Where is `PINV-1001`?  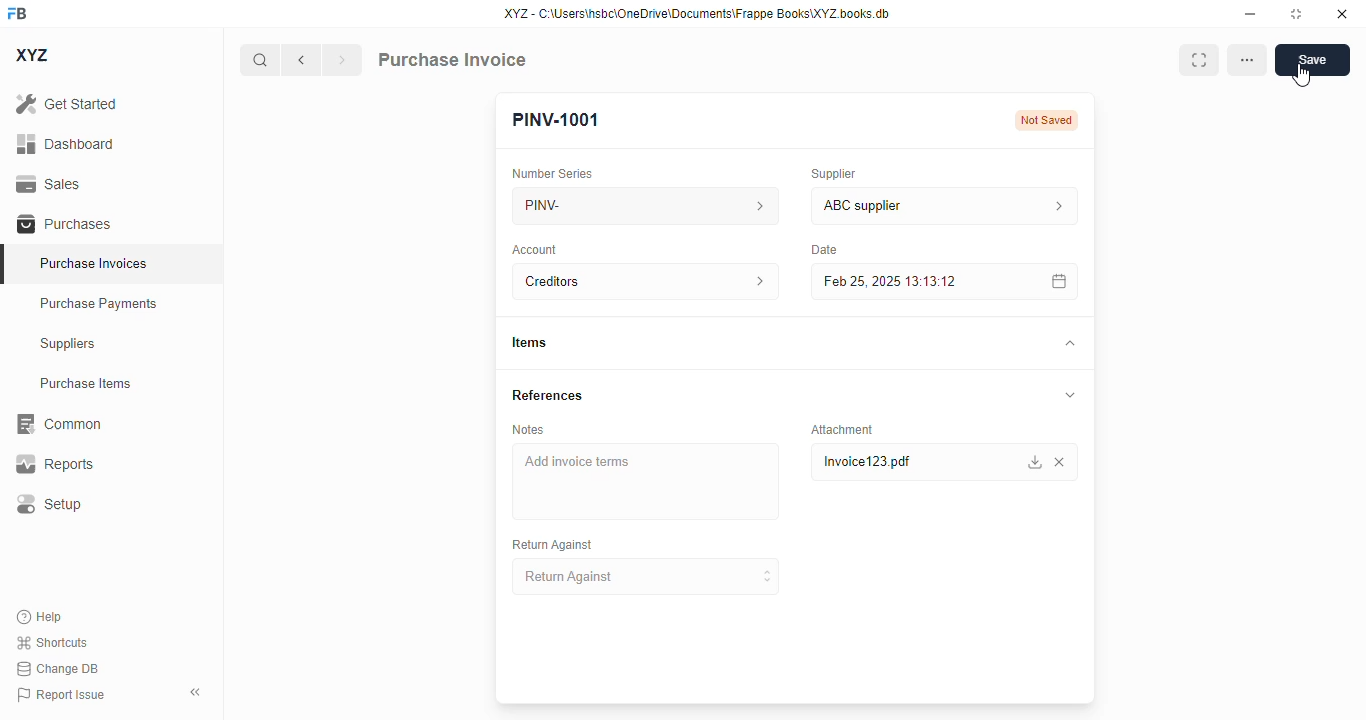
PINV-1001 is located at coordinates (556, 120).